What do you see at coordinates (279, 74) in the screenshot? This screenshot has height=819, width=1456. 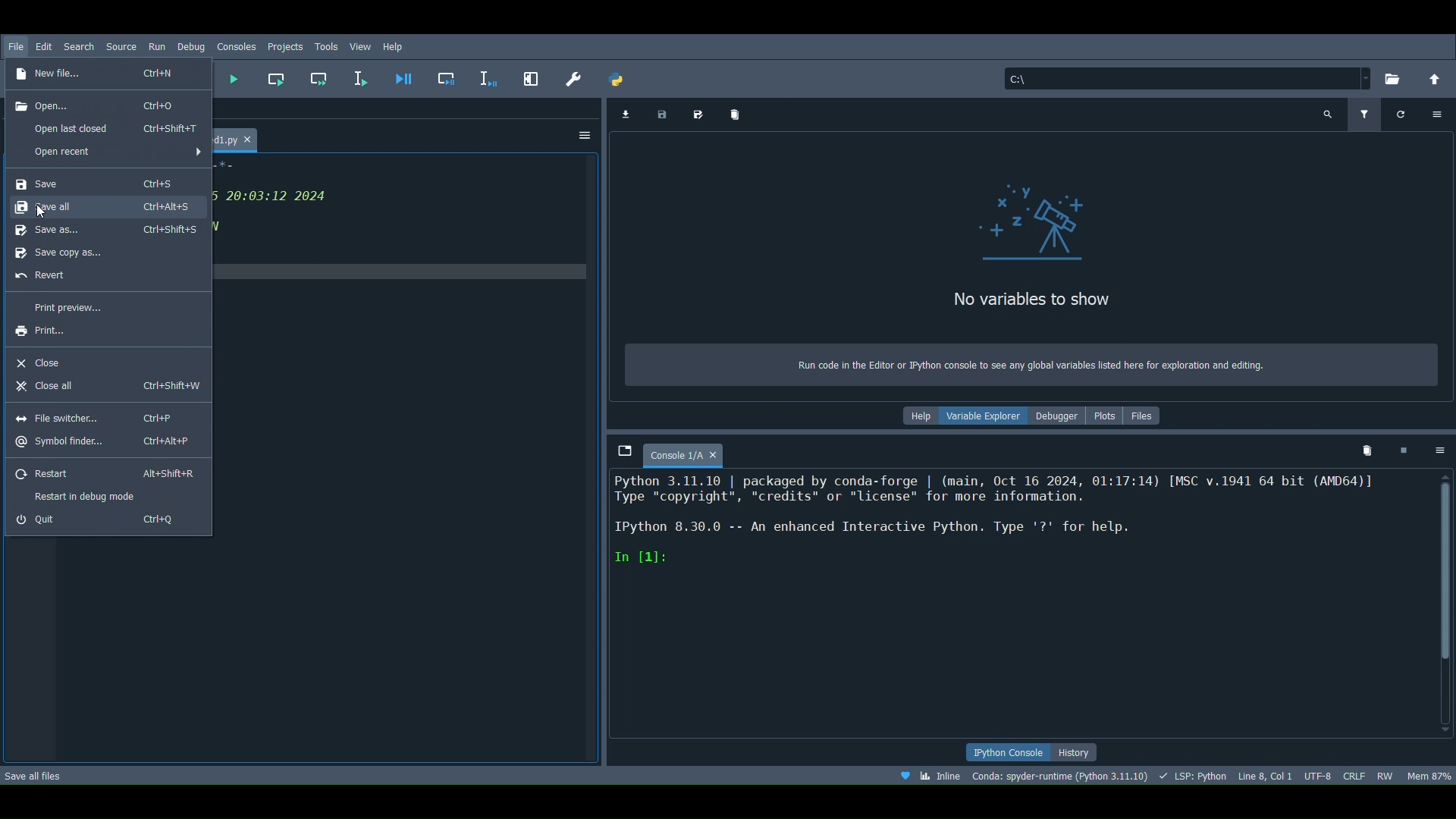 I see `Run current cell (Ctrl + Return)` at bounding box center [279, 74].